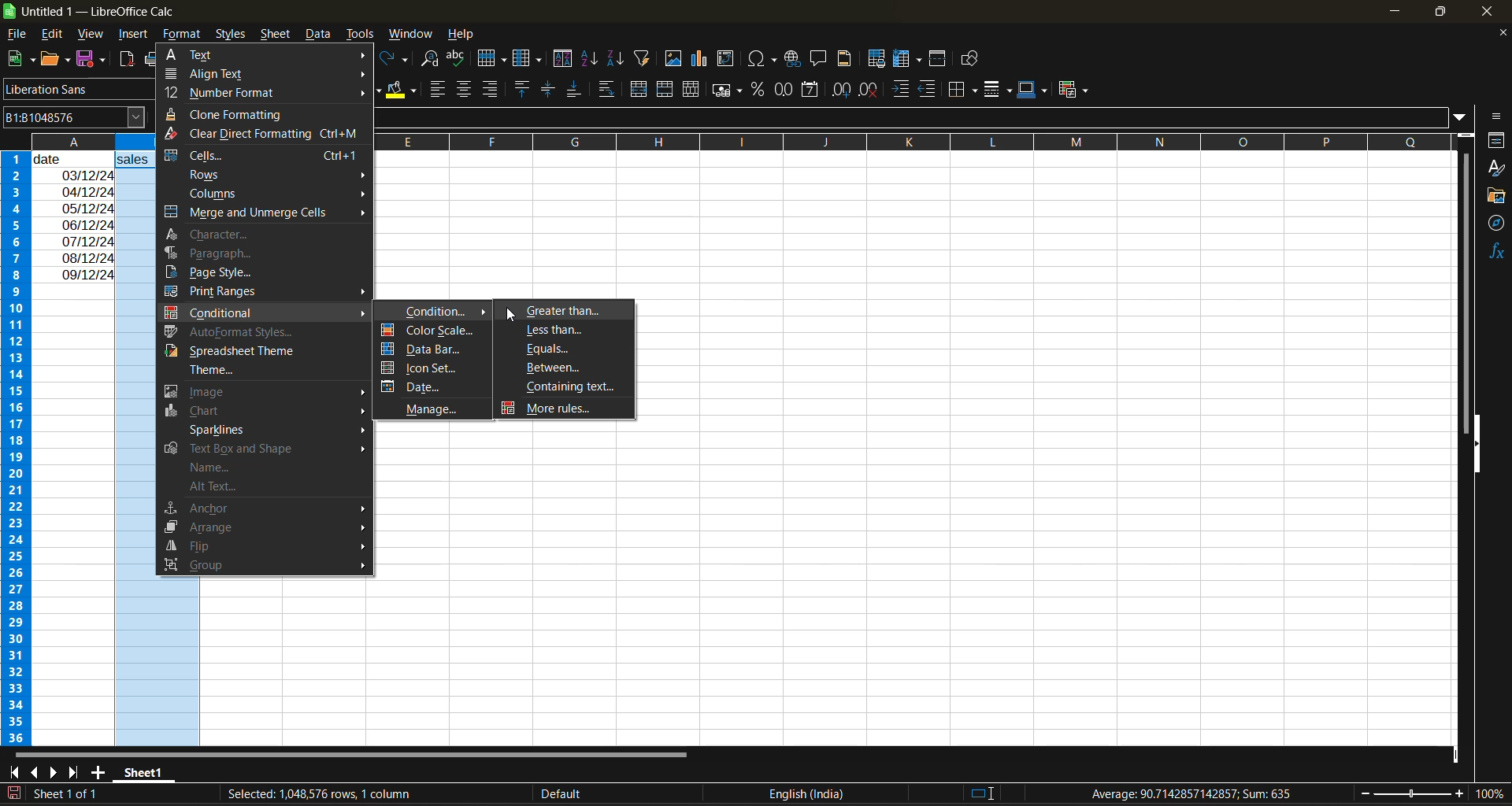 The height and width of the screenshot is (806, 1512). What do you see at coordinates (239, 329) in the screenshot?
I see `autoformat styles` at bounding box center [239, 329].